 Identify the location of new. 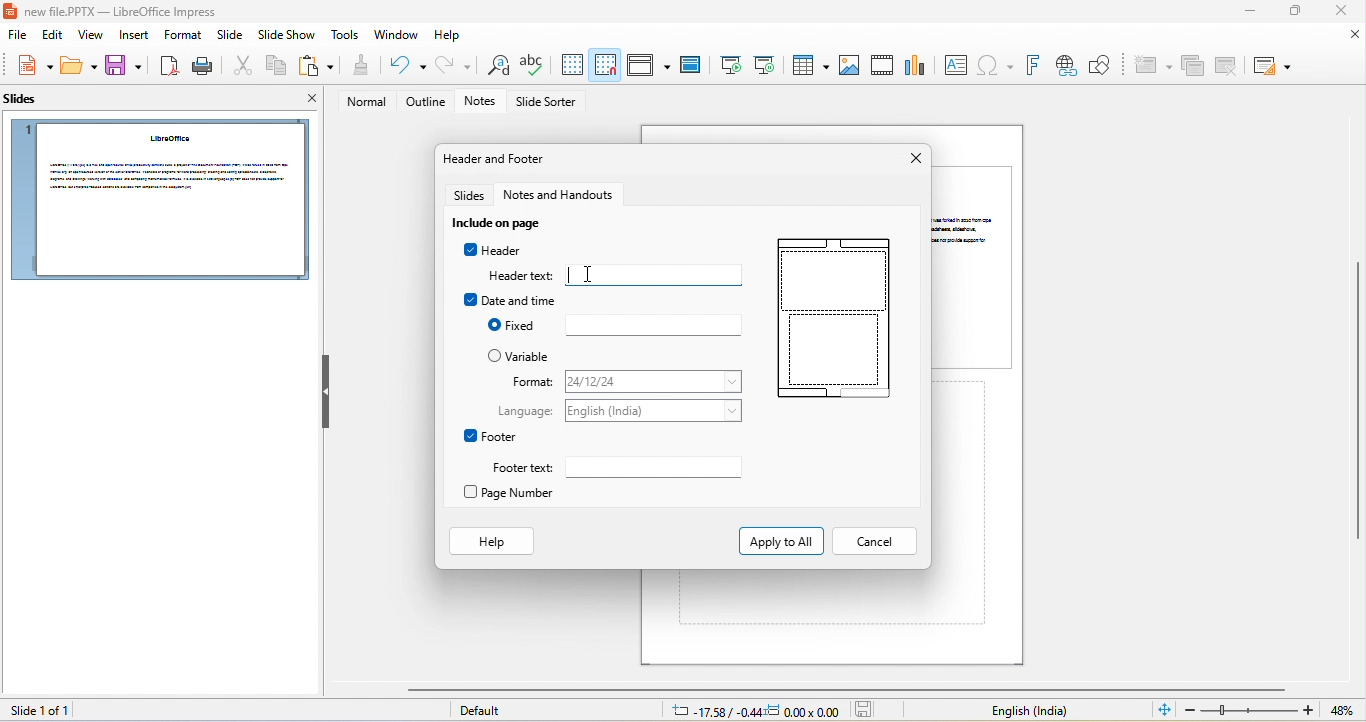
(30, 66).